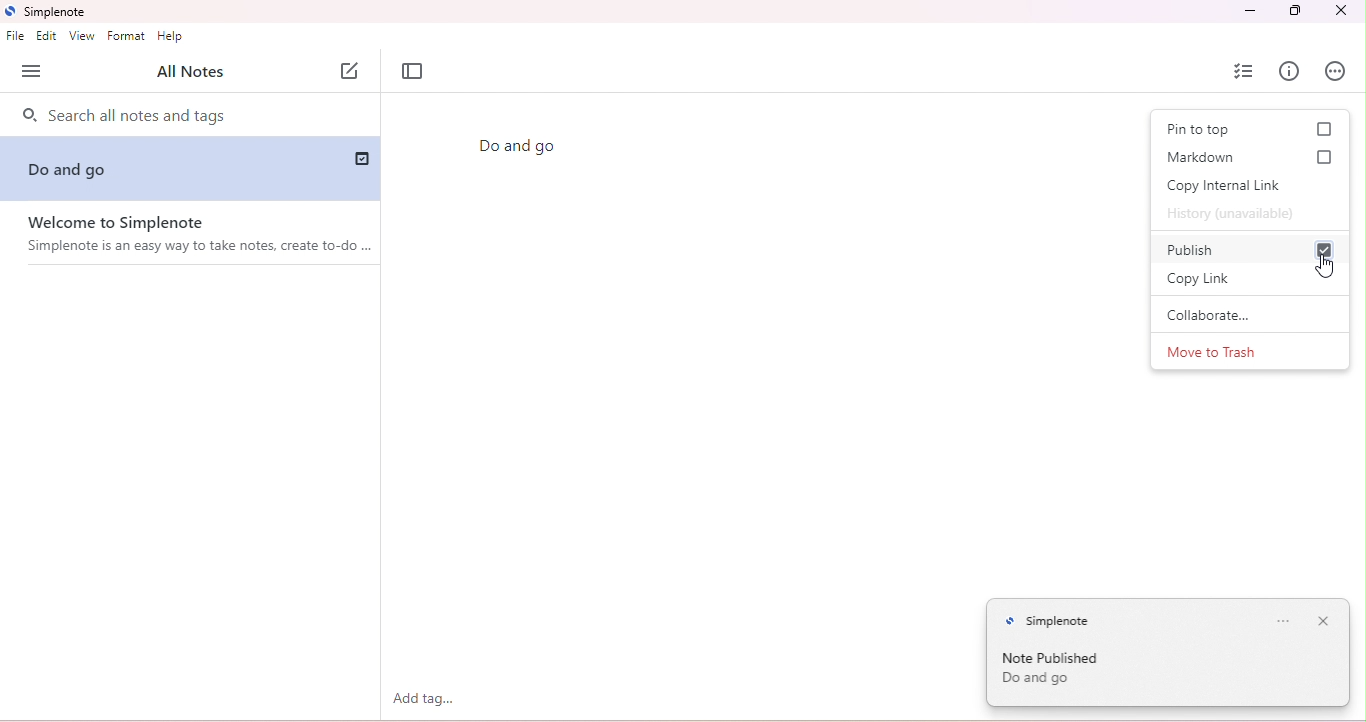  I want to click on settings, so click(1282, 621).